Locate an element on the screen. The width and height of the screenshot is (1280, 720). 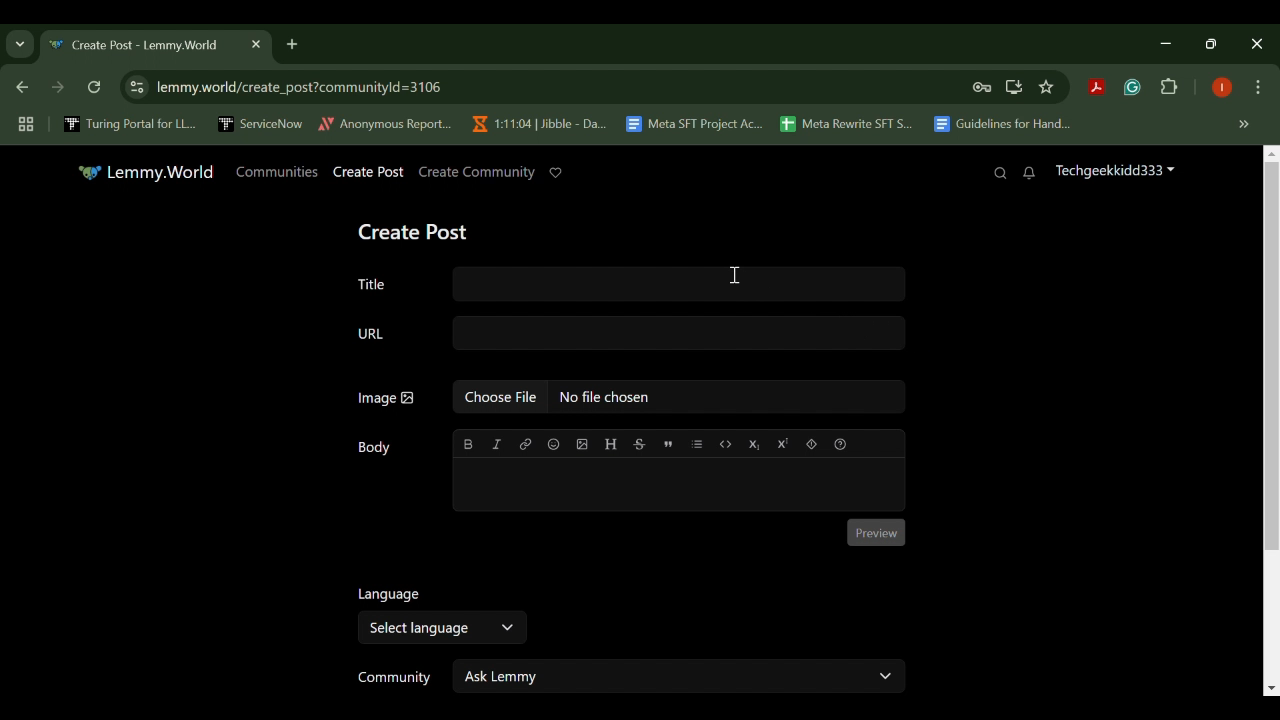
formatting help is located at coordinates (839, 442).